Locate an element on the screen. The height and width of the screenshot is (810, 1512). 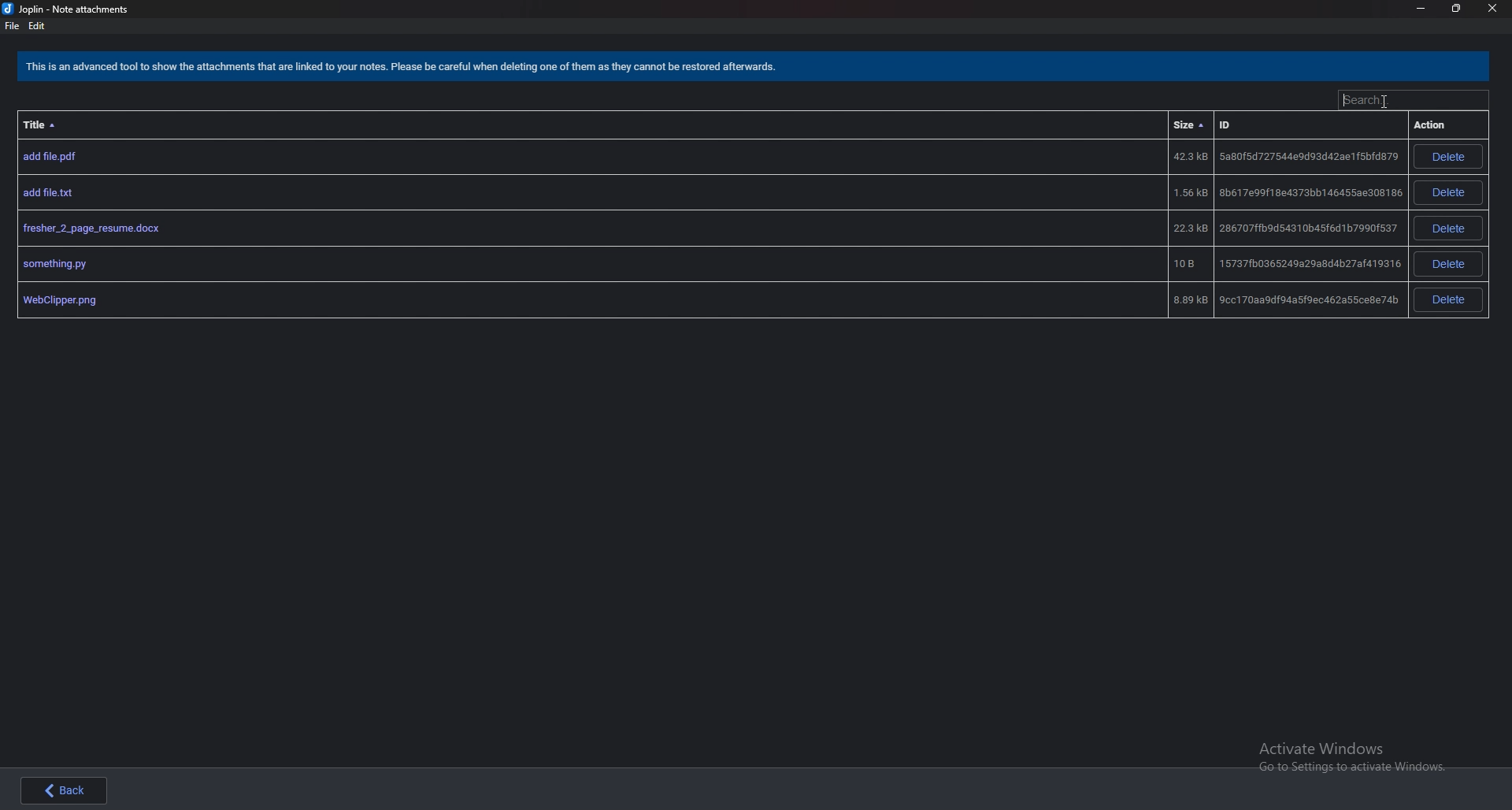
file is located at coordinates (11, 26).